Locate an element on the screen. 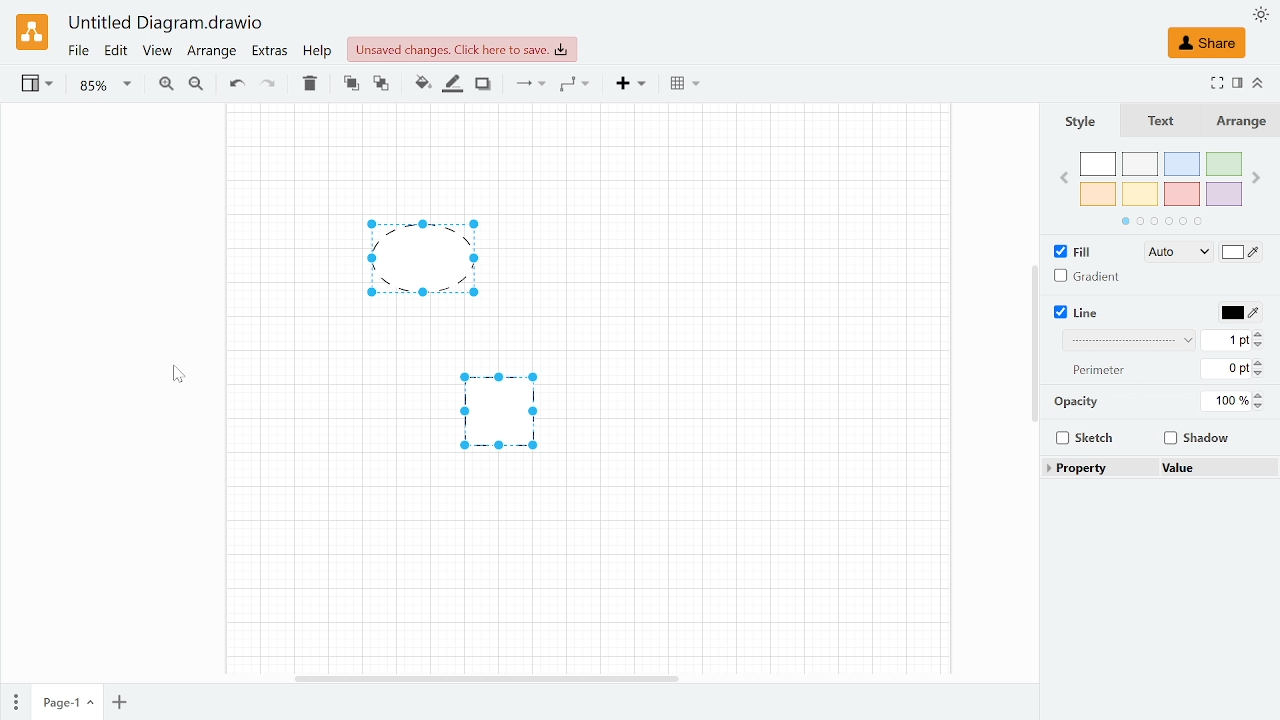  Sketch is located at coordinates (1084, 438).